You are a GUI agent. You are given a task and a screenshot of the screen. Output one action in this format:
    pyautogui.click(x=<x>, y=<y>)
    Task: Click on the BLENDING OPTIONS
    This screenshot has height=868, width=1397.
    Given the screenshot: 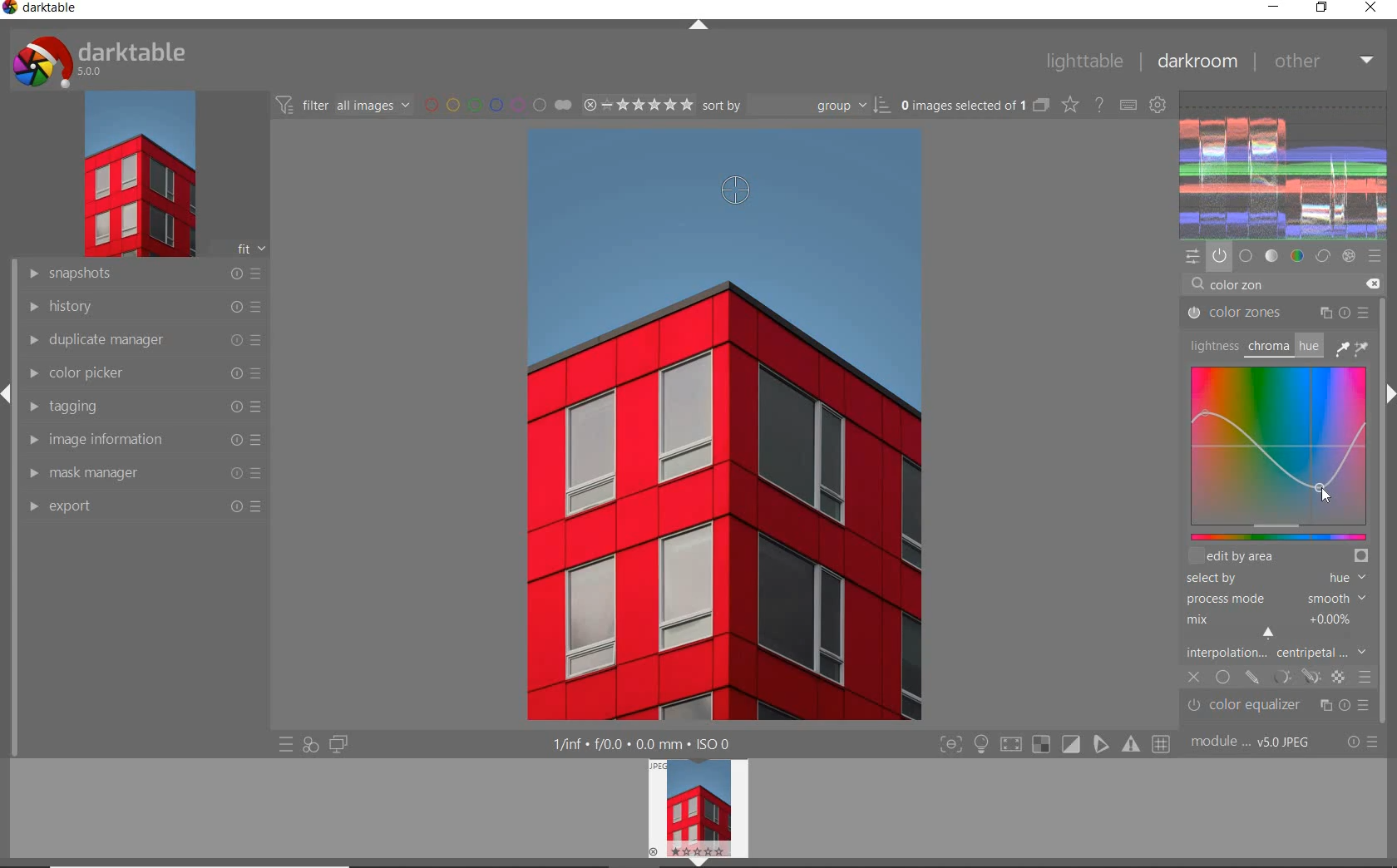 What is the action you would take?
    pyautogui.click(x=1365, y=676)
    